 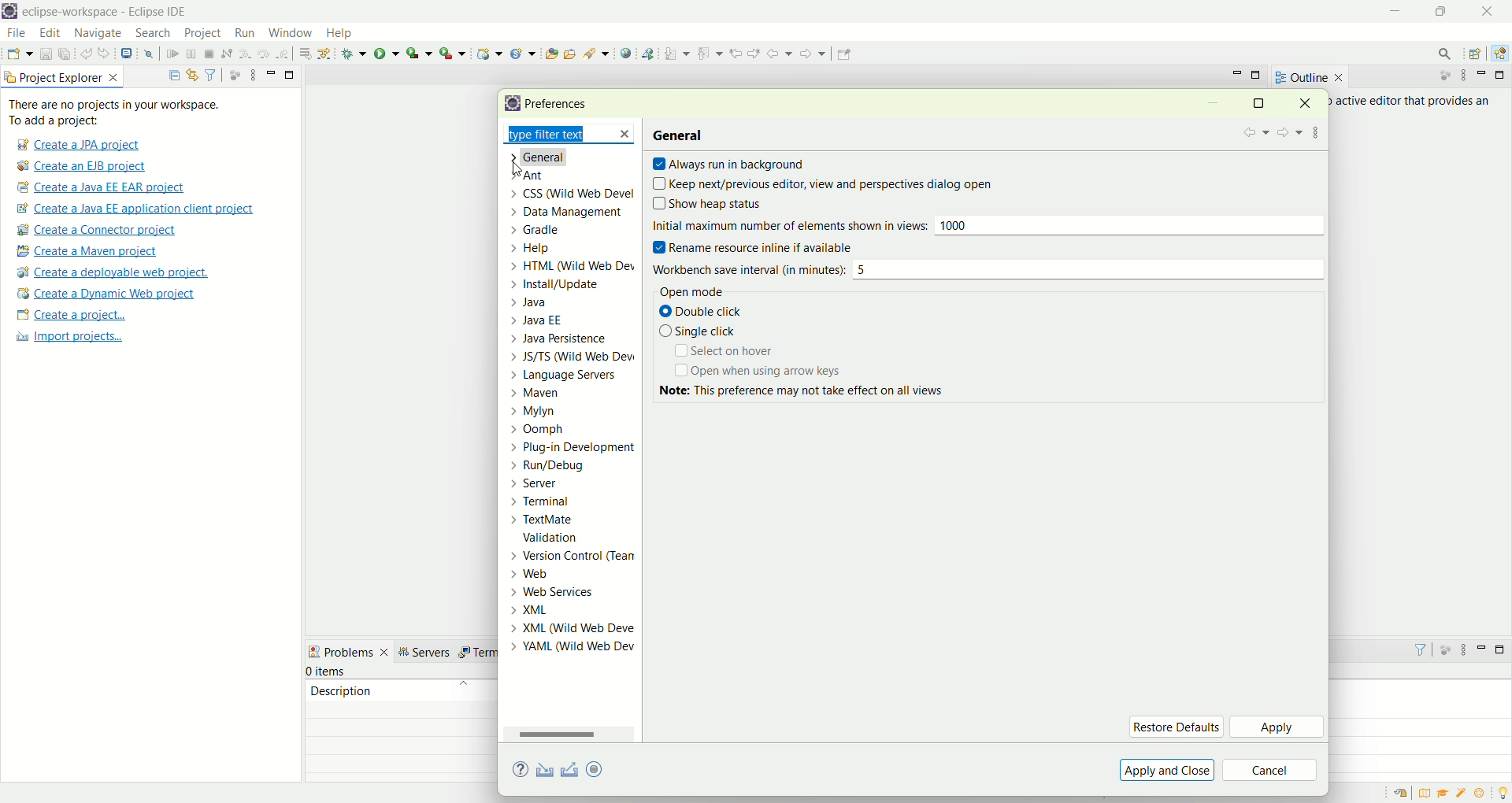 What do you see at coordinates (76, 145) in the screenshot?
I see `create a JPA project` at bounding box center [76, 145].